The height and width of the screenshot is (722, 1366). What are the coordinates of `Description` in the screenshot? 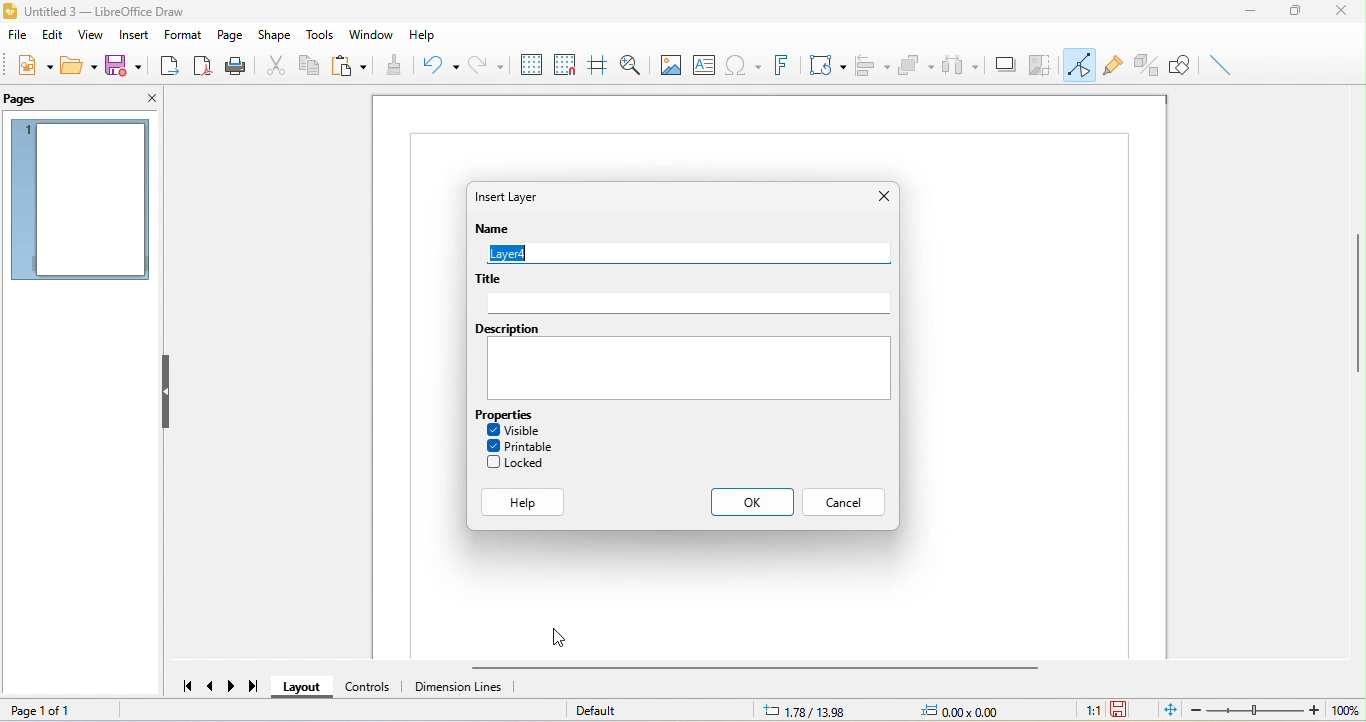 It's located at (506, 329).